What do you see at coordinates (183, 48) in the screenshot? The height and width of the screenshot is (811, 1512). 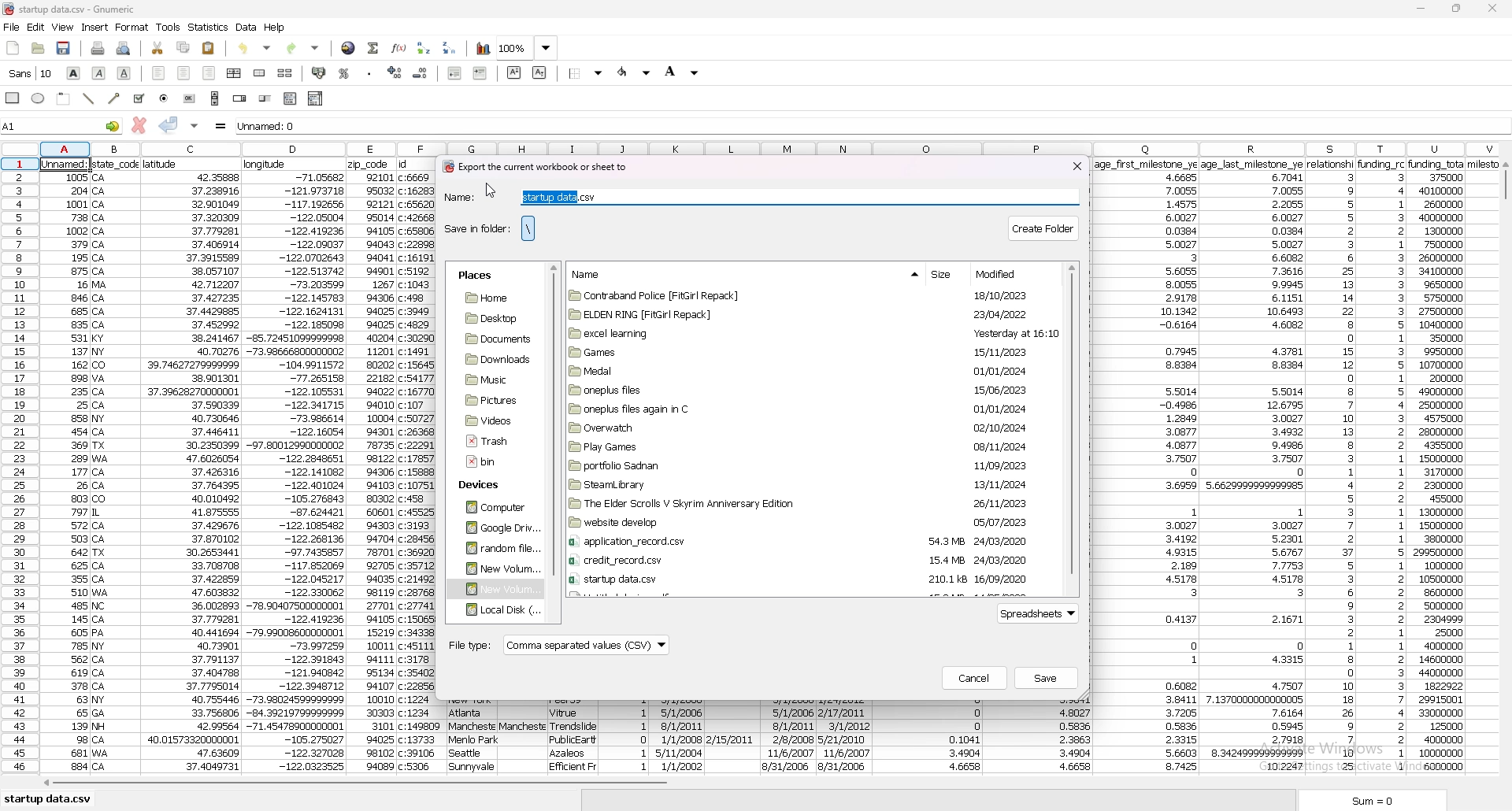 I see `copy` at bounding box center [183, 48].